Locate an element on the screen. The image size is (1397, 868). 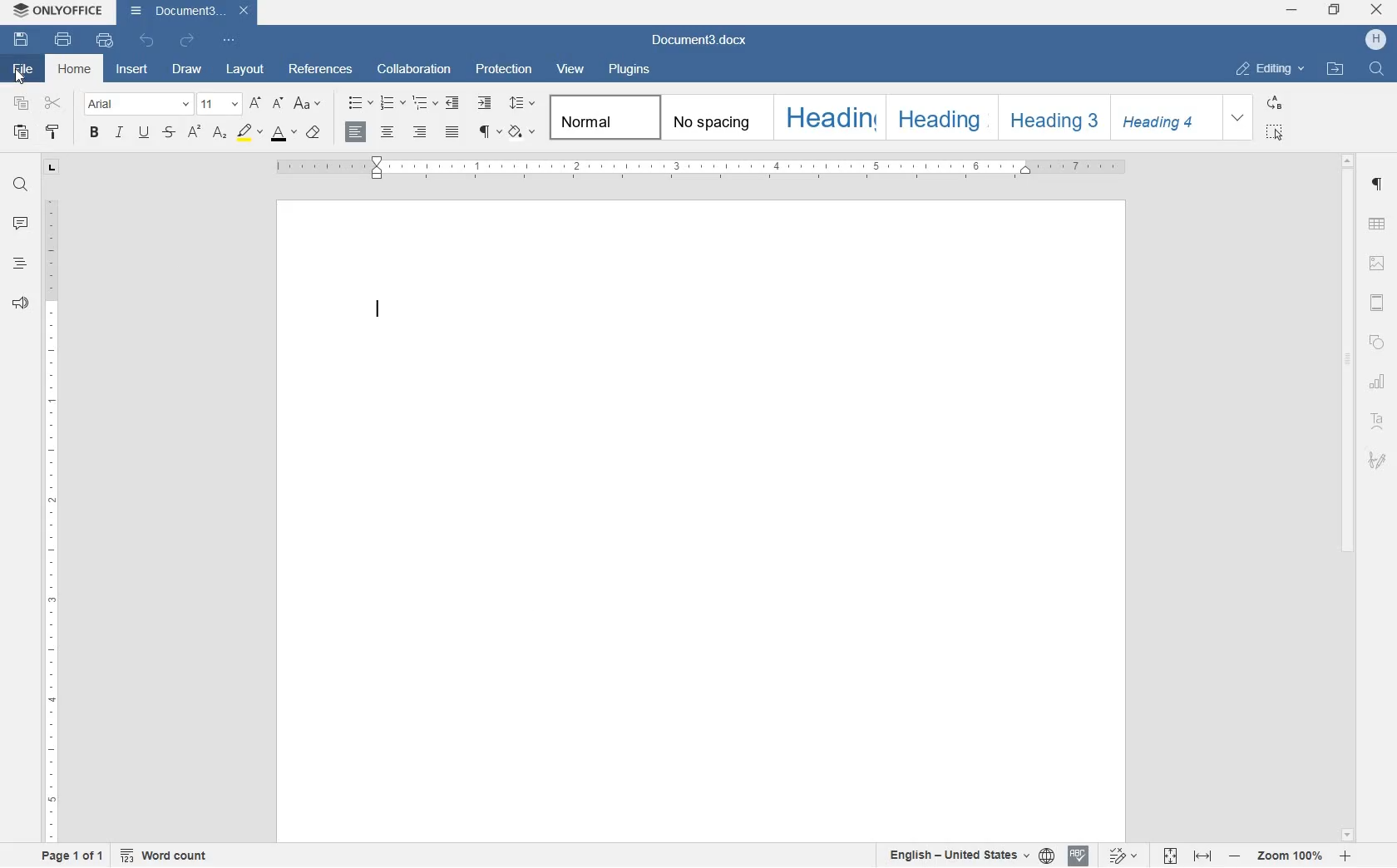
page 1 of 1 is located at coordinates (72, 858).